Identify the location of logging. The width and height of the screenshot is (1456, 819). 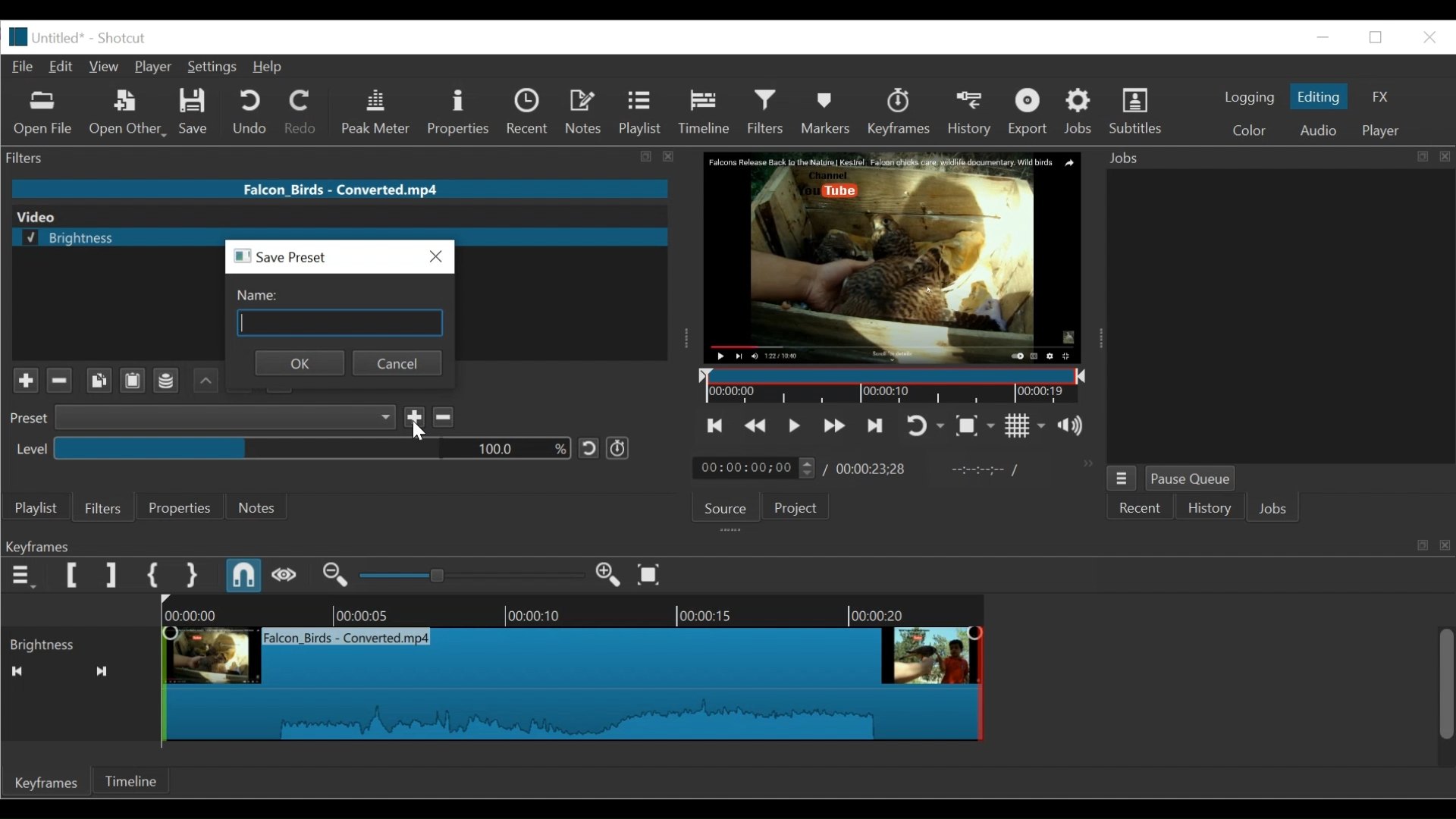
(1248, 99).